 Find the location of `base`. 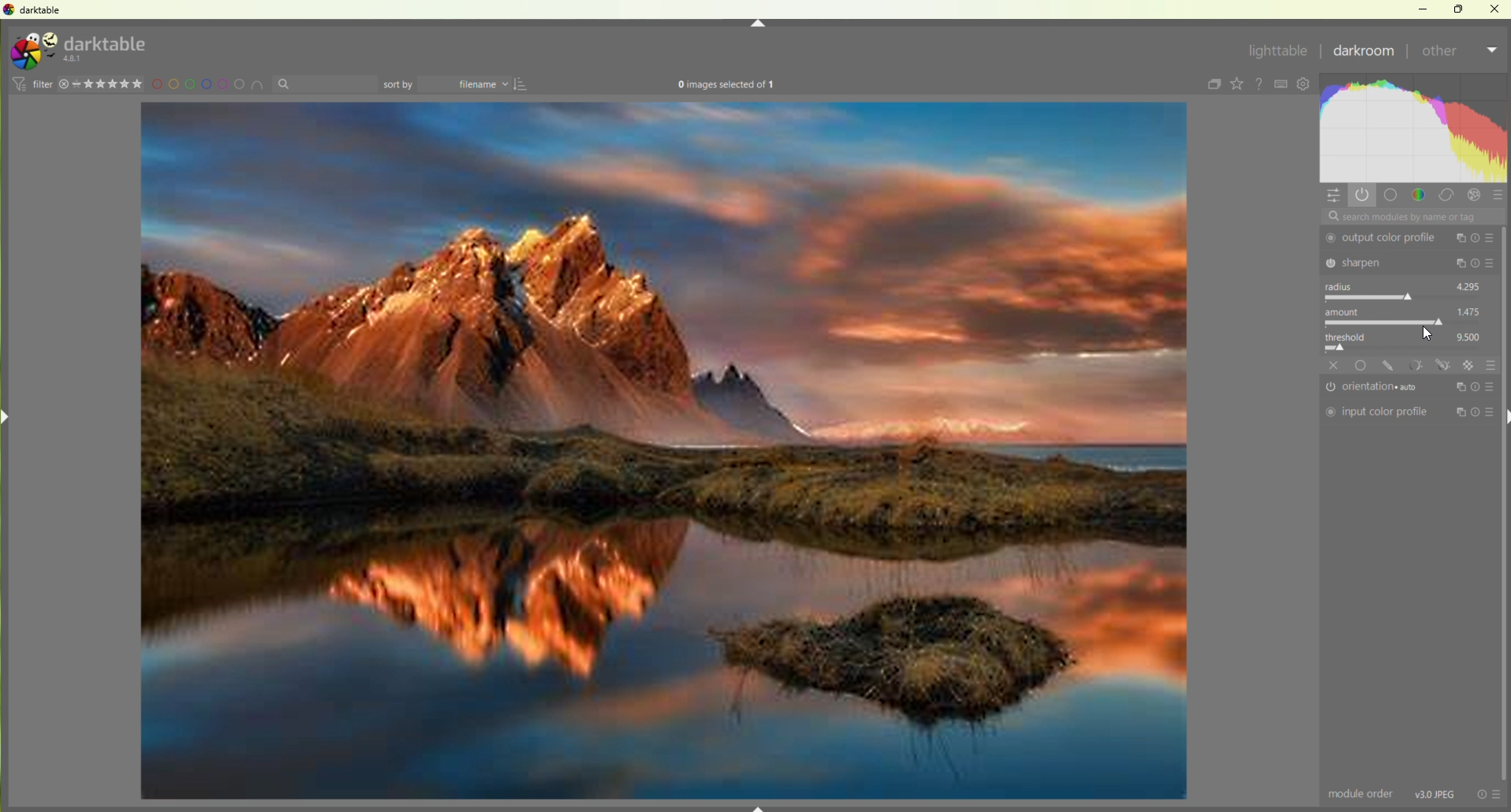

base is located at coordinates (1362, 365).